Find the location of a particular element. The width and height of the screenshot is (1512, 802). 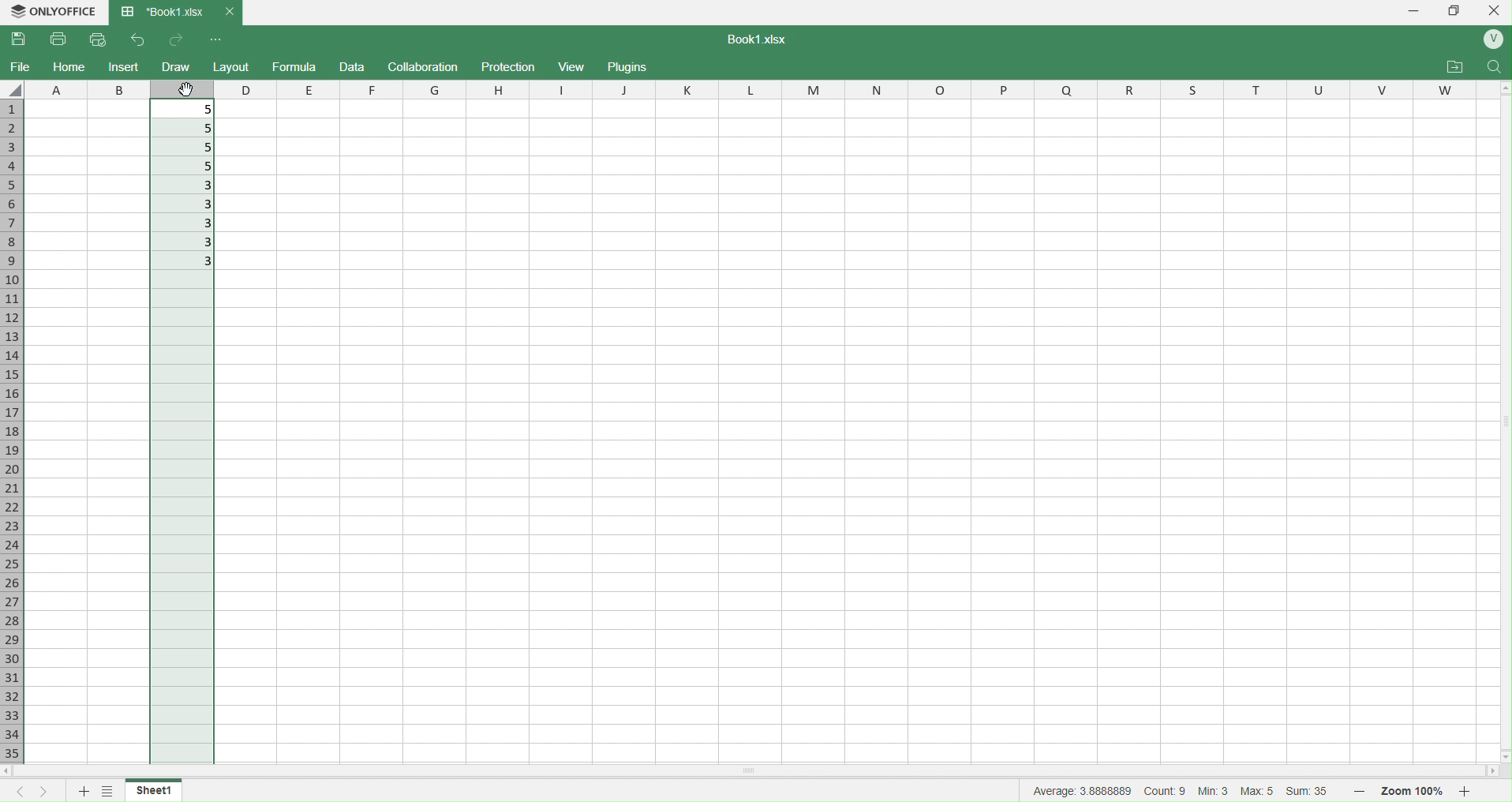

zoom out is located at coordinates (1357, 789).